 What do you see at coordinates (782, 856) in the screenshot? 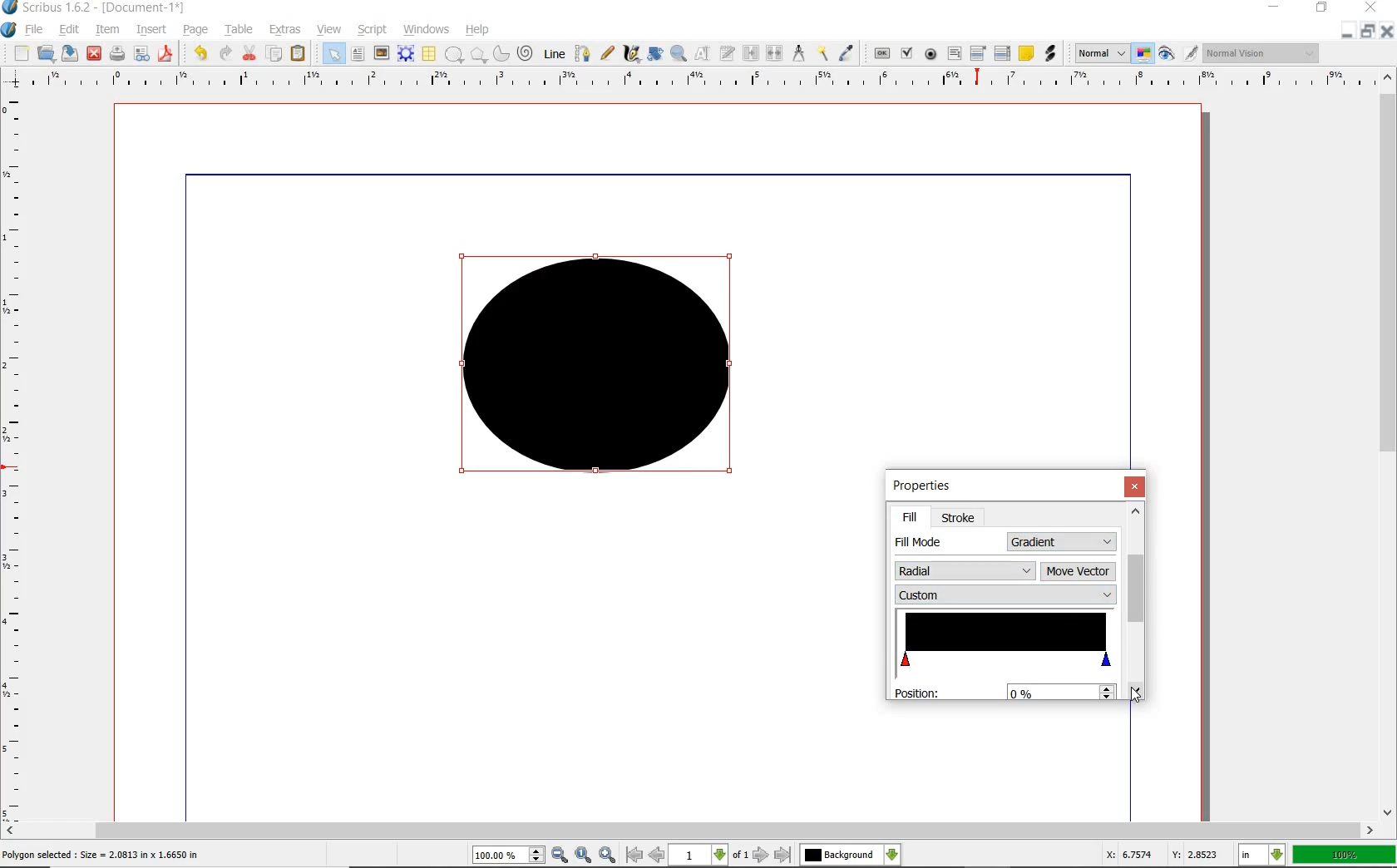
I see `last` at bounding box center [782, 856].